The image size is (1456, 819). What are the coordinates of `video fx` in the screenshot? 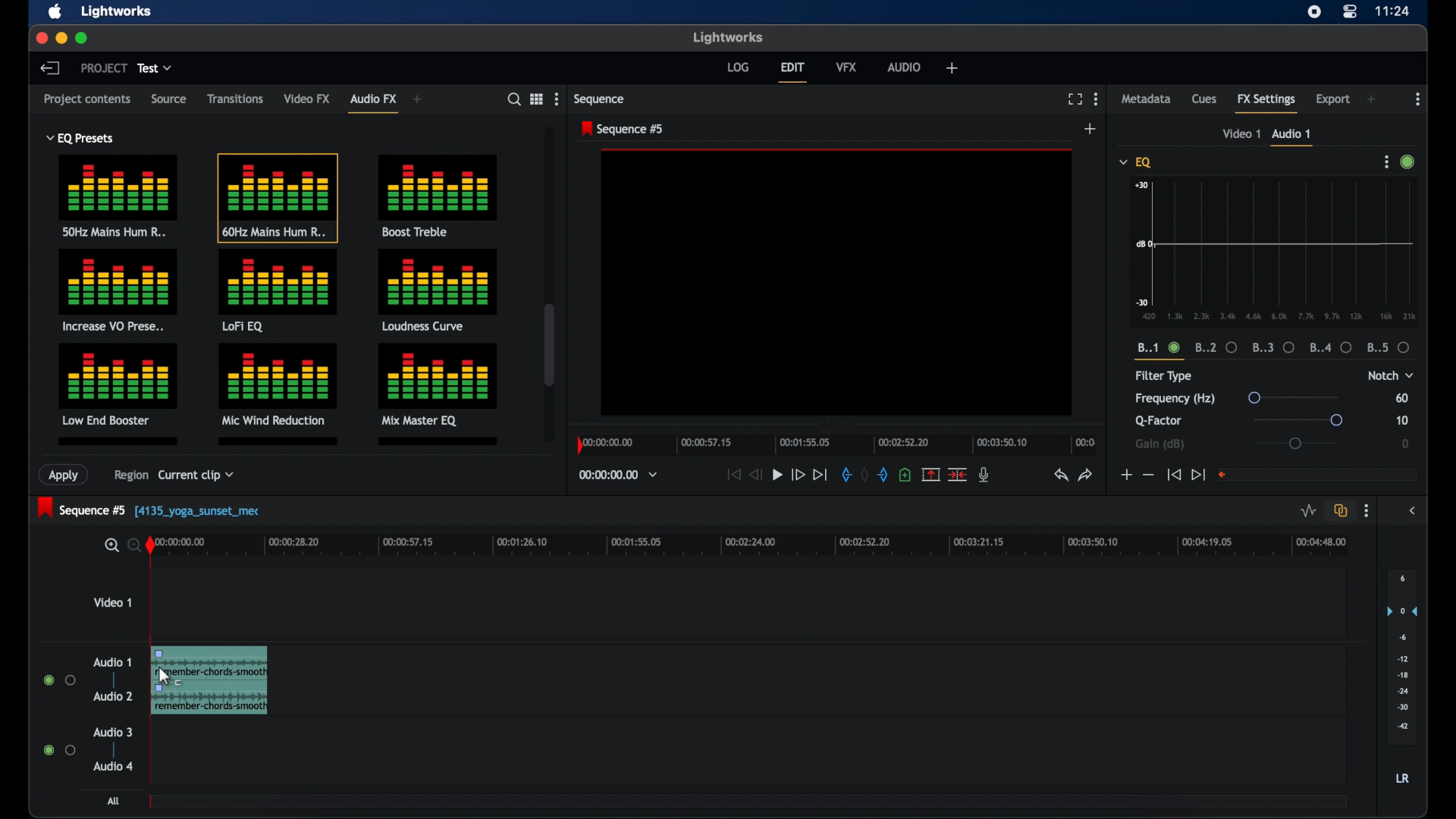 It's located at (308, 99).